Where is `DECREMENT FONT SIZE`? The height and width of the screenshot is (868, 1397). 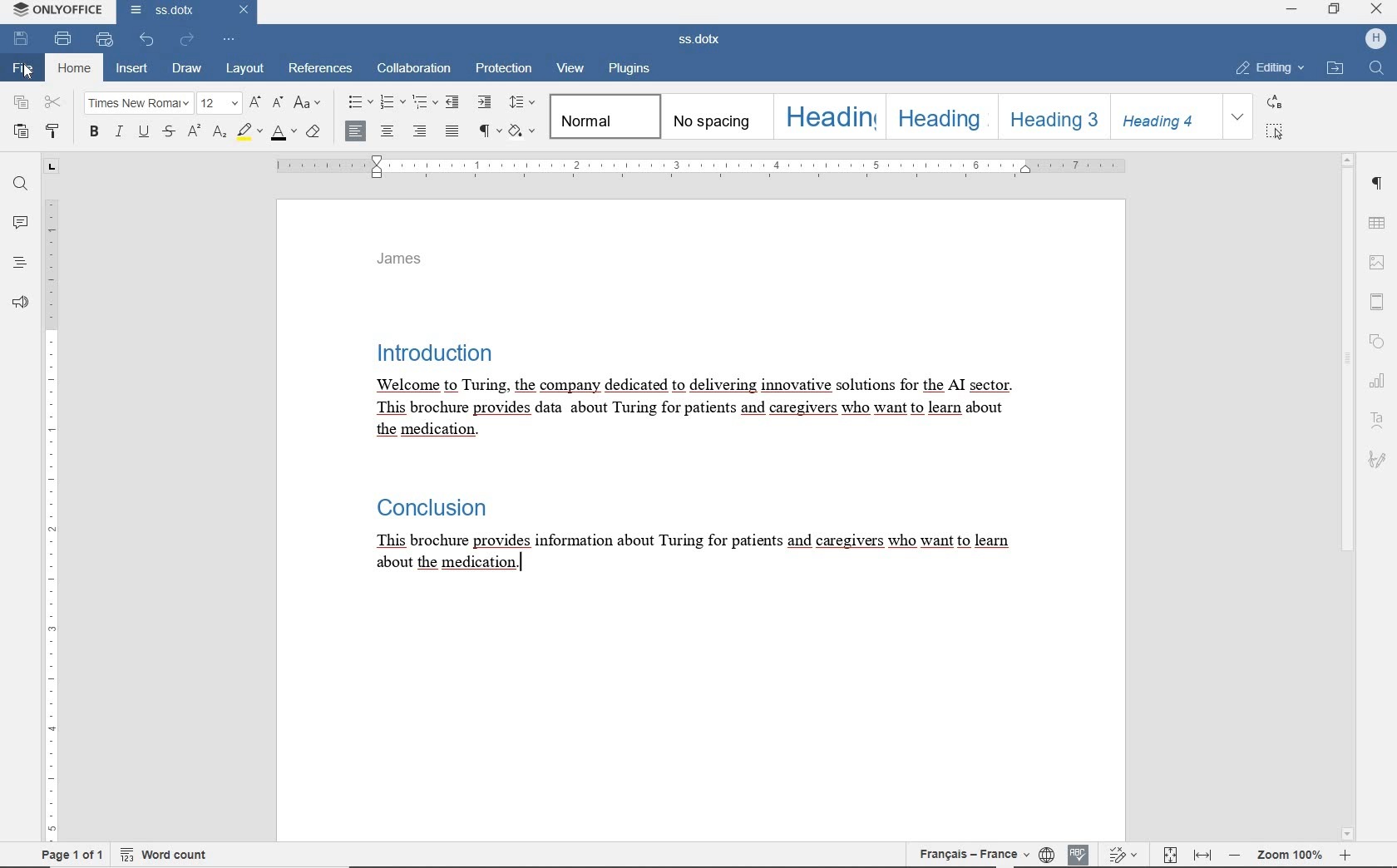
DECREMENT FONT SIZE is located at coordinates (277, 104).